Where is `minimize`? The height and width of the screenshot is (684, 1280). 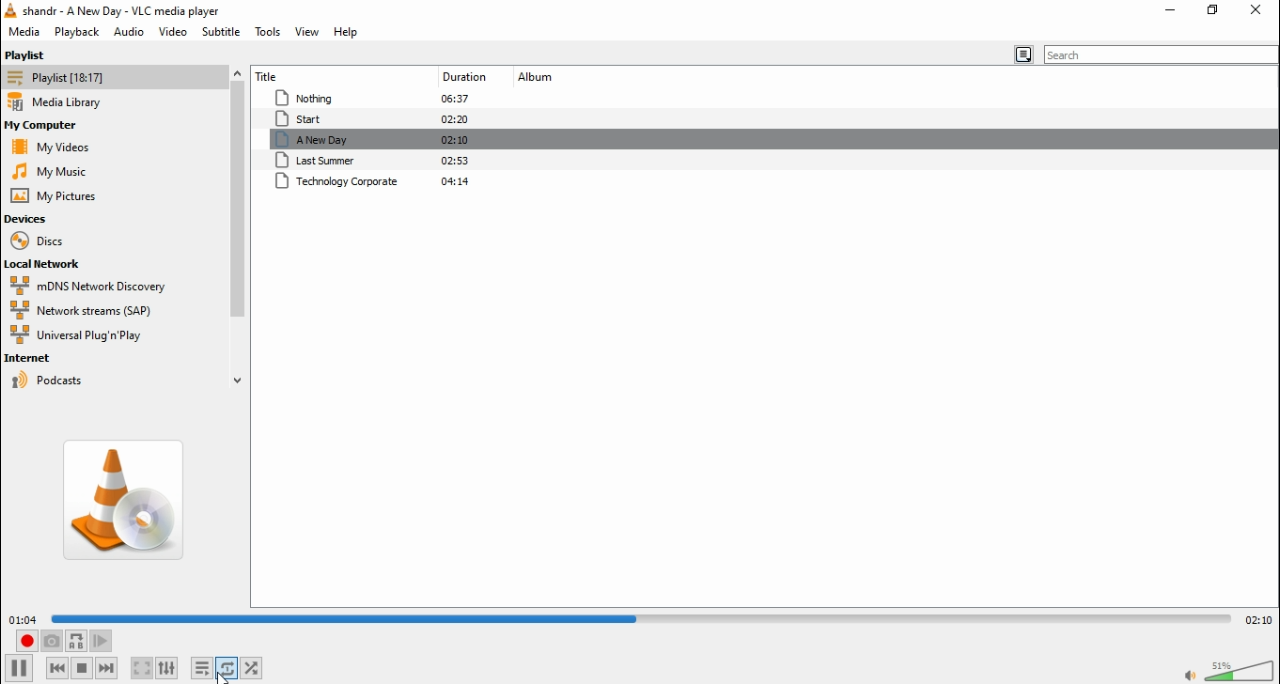
minimize is located at coordinates (1172, 9).